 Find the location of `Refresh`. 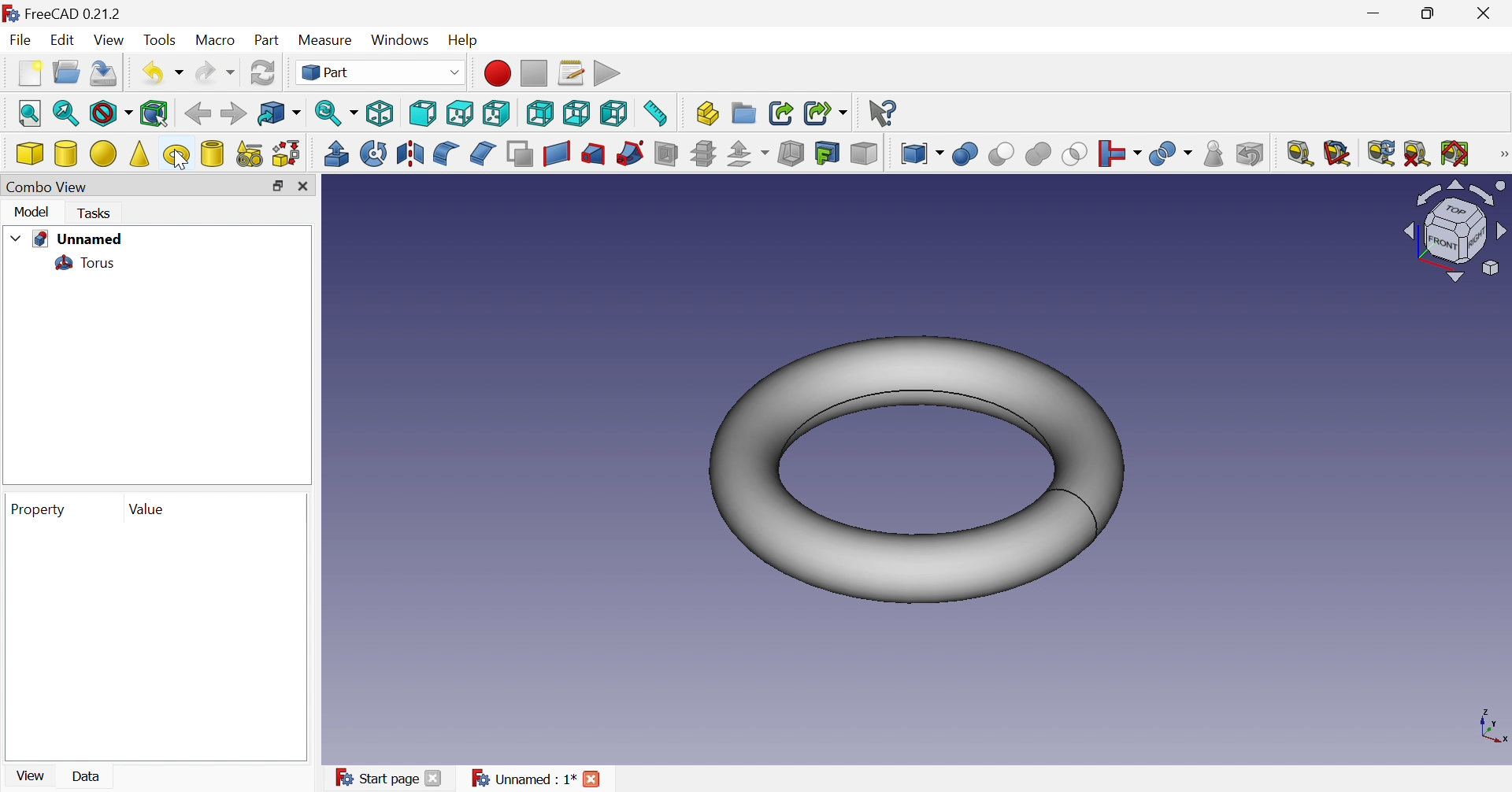

Refresh is located at coordinates (267, 72).